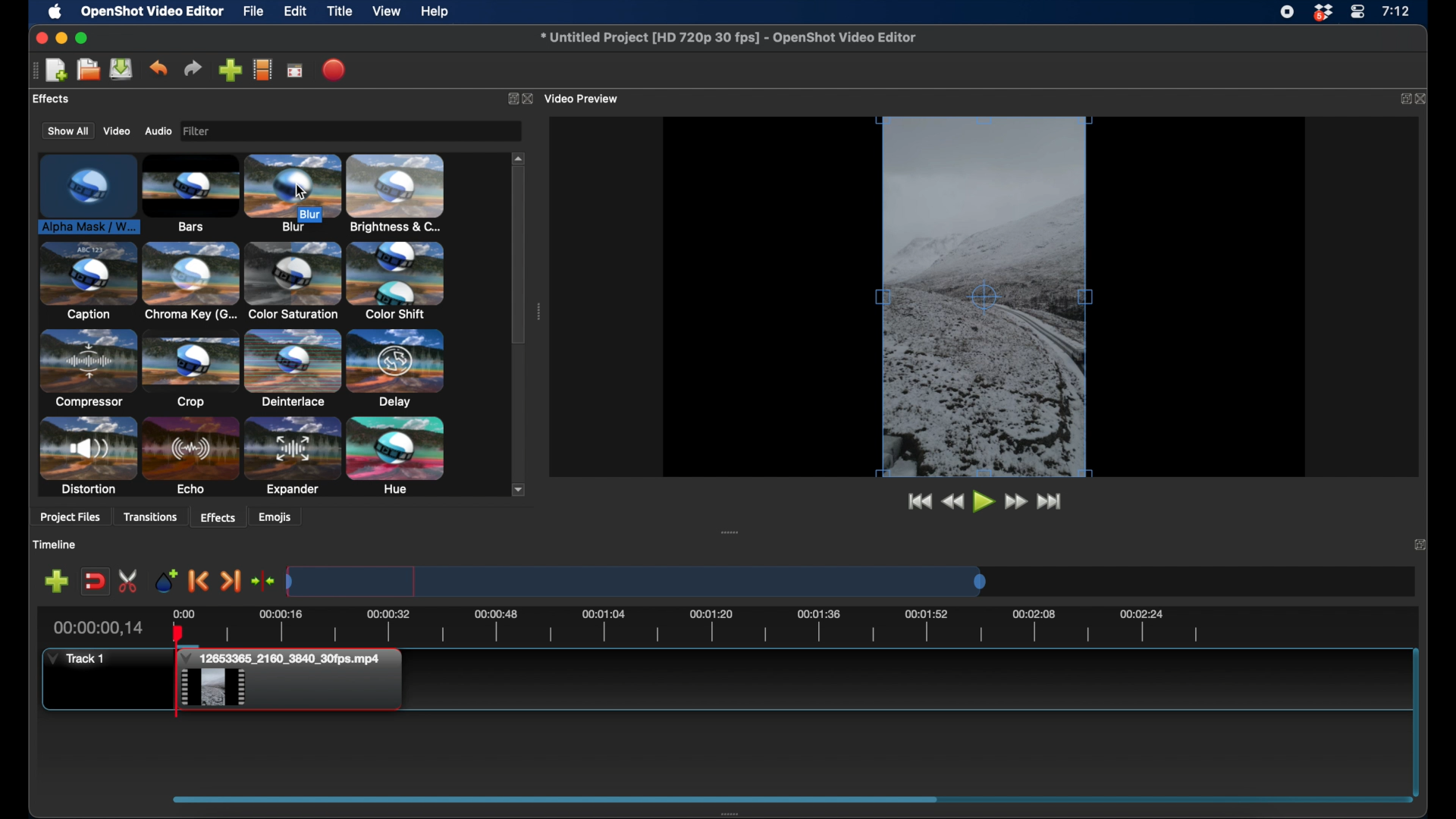 The width and height of the screenshot is (1456, 819). What do you see at coordinates (165, 580) in the screenshot?
I see `add marker` at bounding box center [165, 580].